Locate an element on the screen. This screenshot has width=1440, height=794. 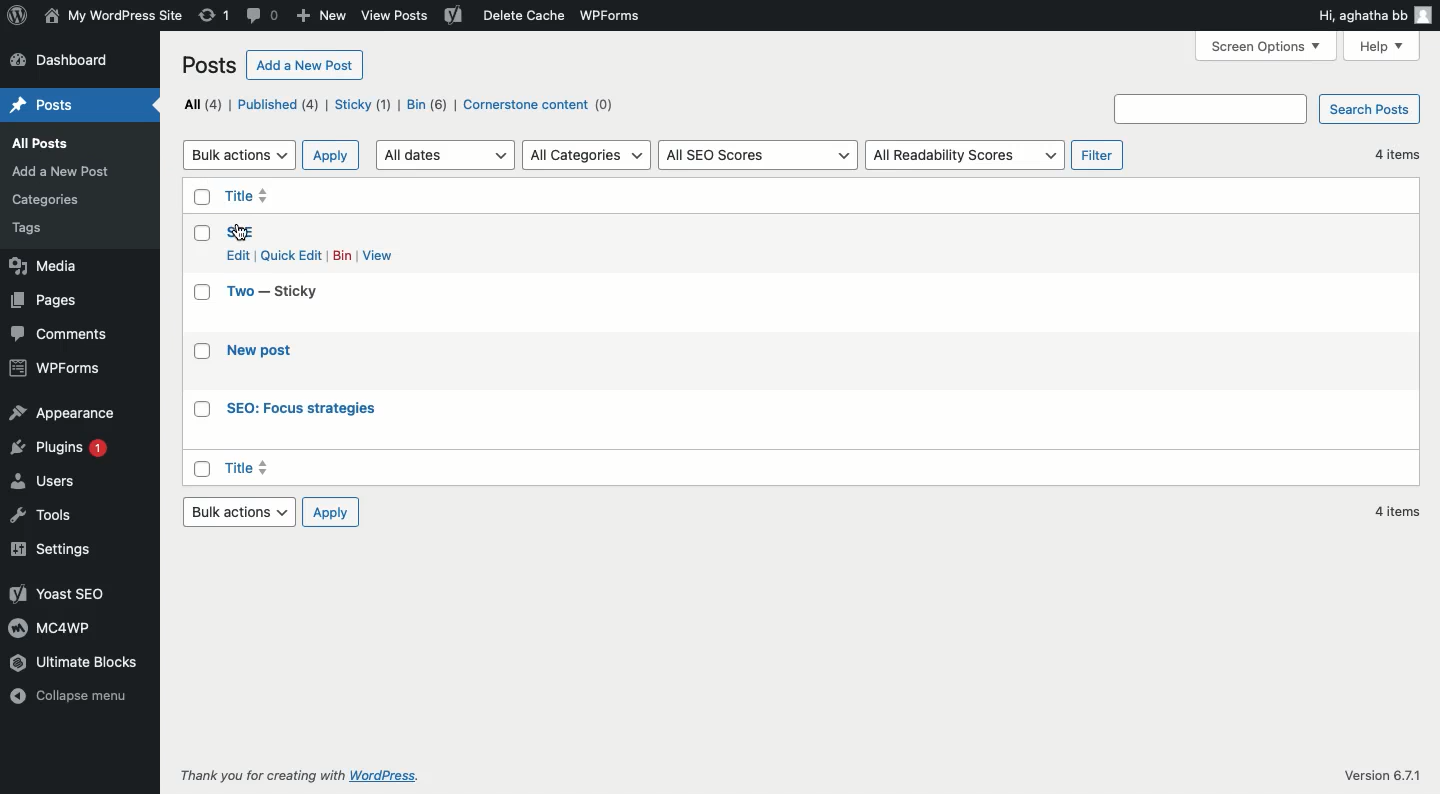
Apply is located at coordinates (332, 157).